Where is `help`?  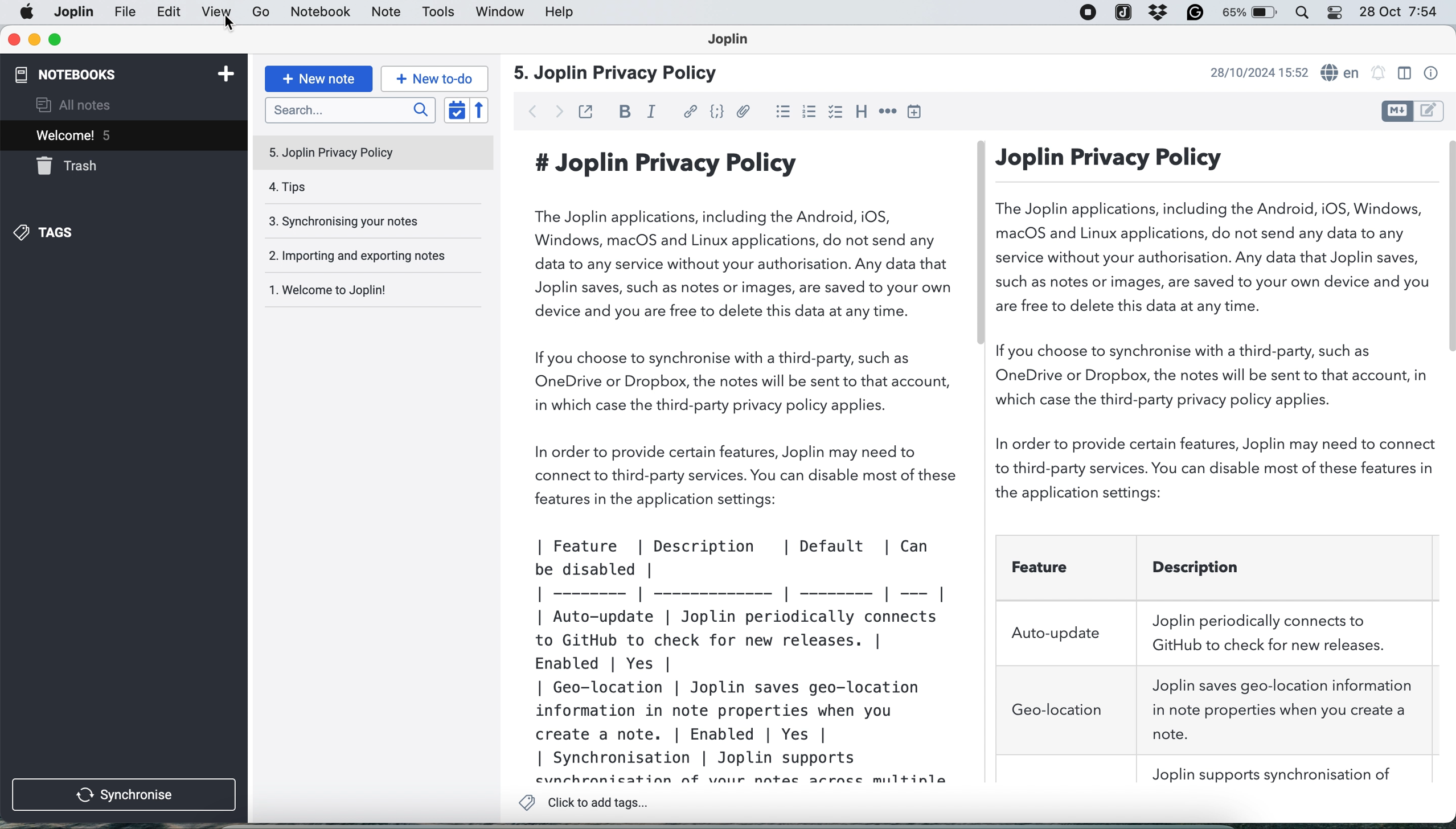 help is located at coordinates (561, 13).